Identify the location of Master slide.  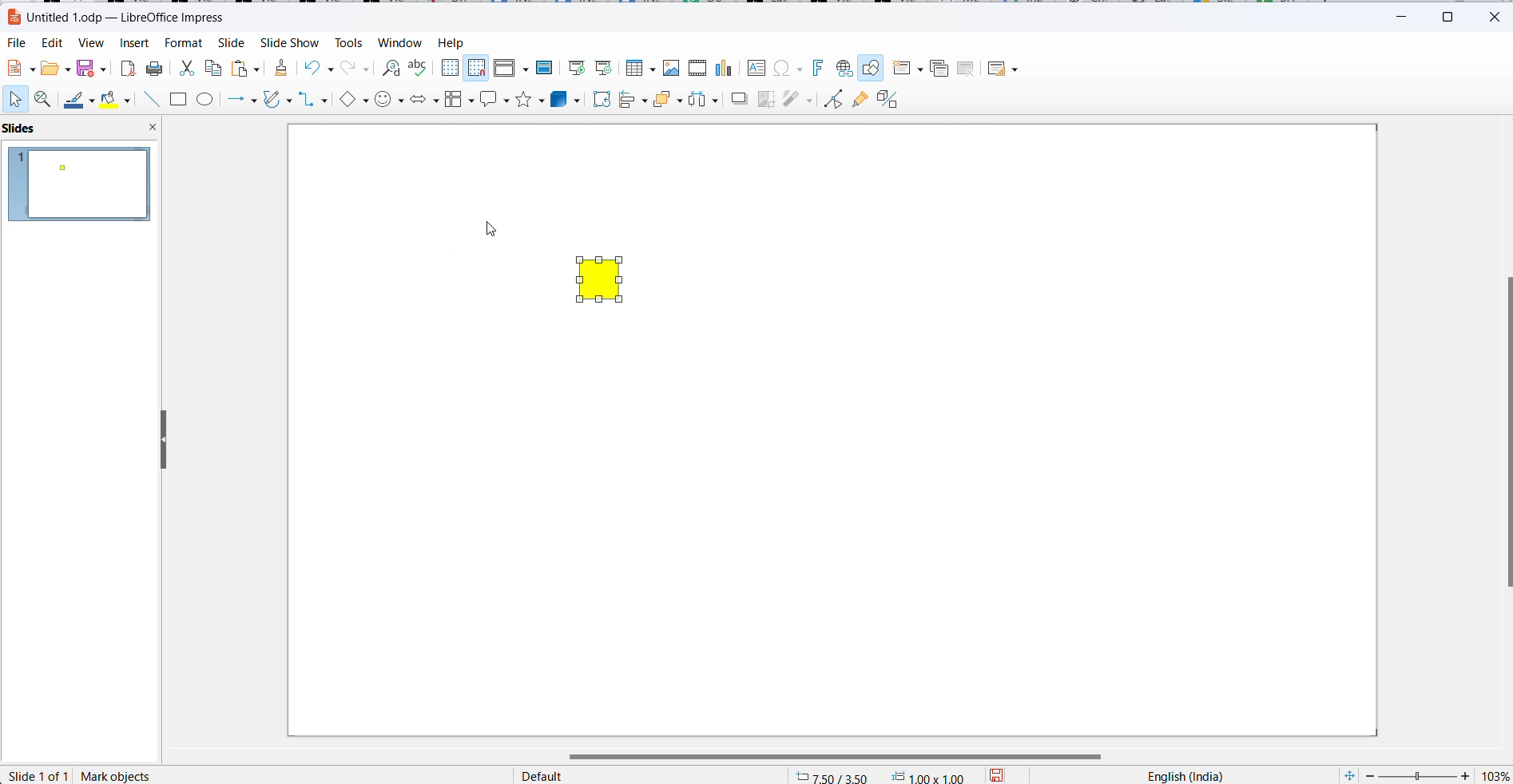
(548, 67).